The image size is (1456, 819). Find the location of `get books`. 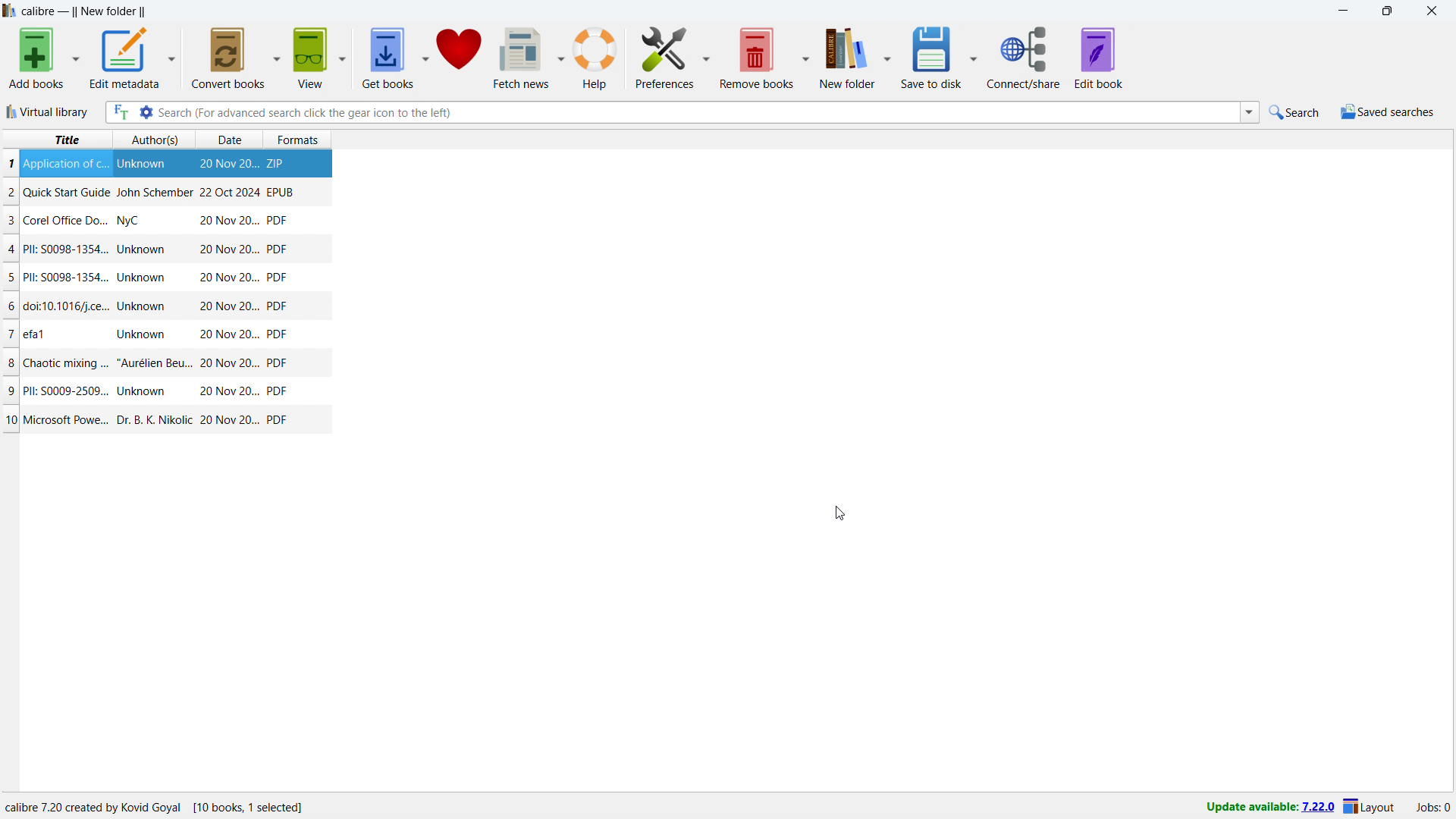

get books is located at coordinates (387, 58).